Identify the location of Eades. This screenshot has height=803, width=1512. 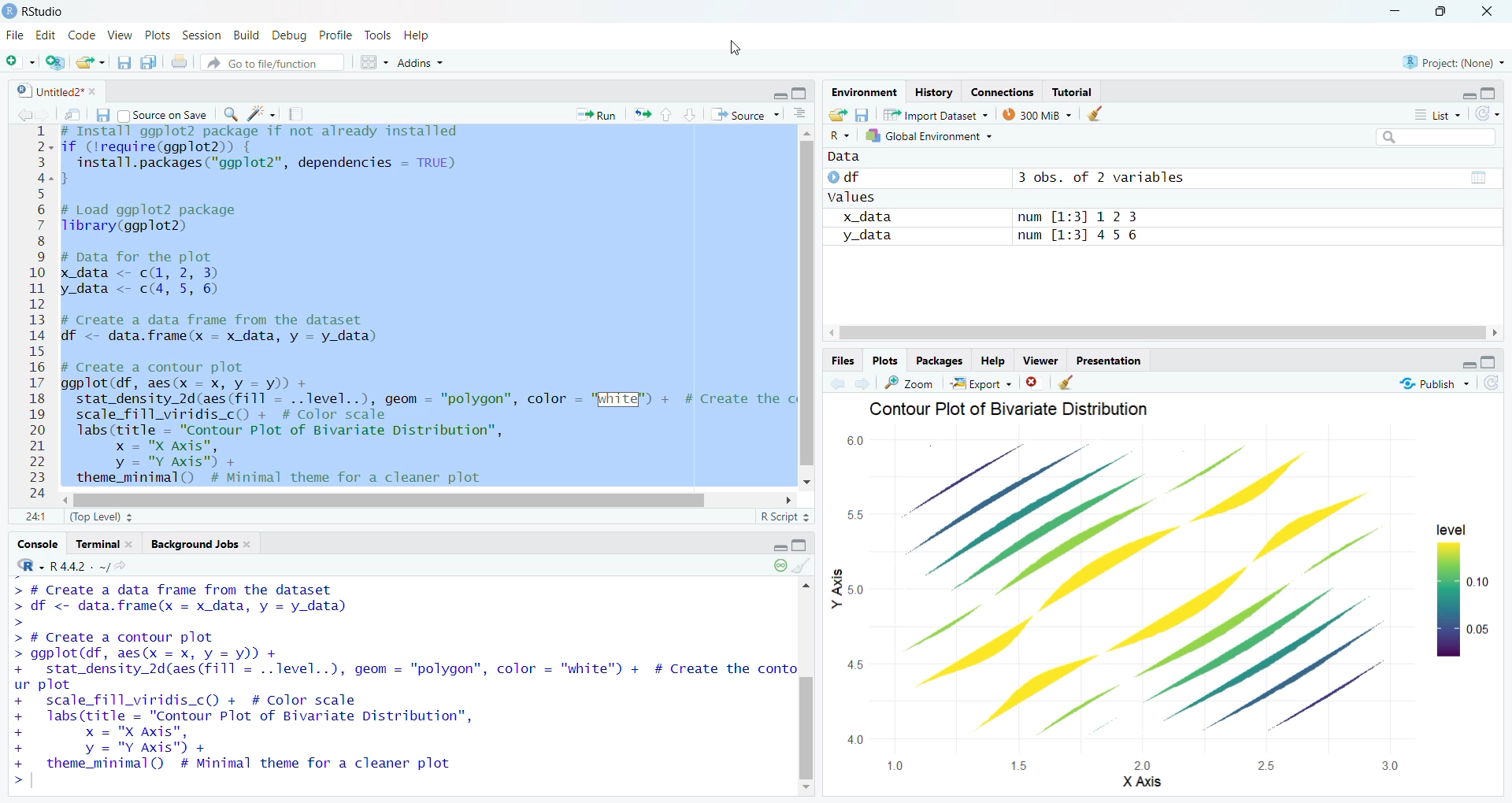
(1003, 89).